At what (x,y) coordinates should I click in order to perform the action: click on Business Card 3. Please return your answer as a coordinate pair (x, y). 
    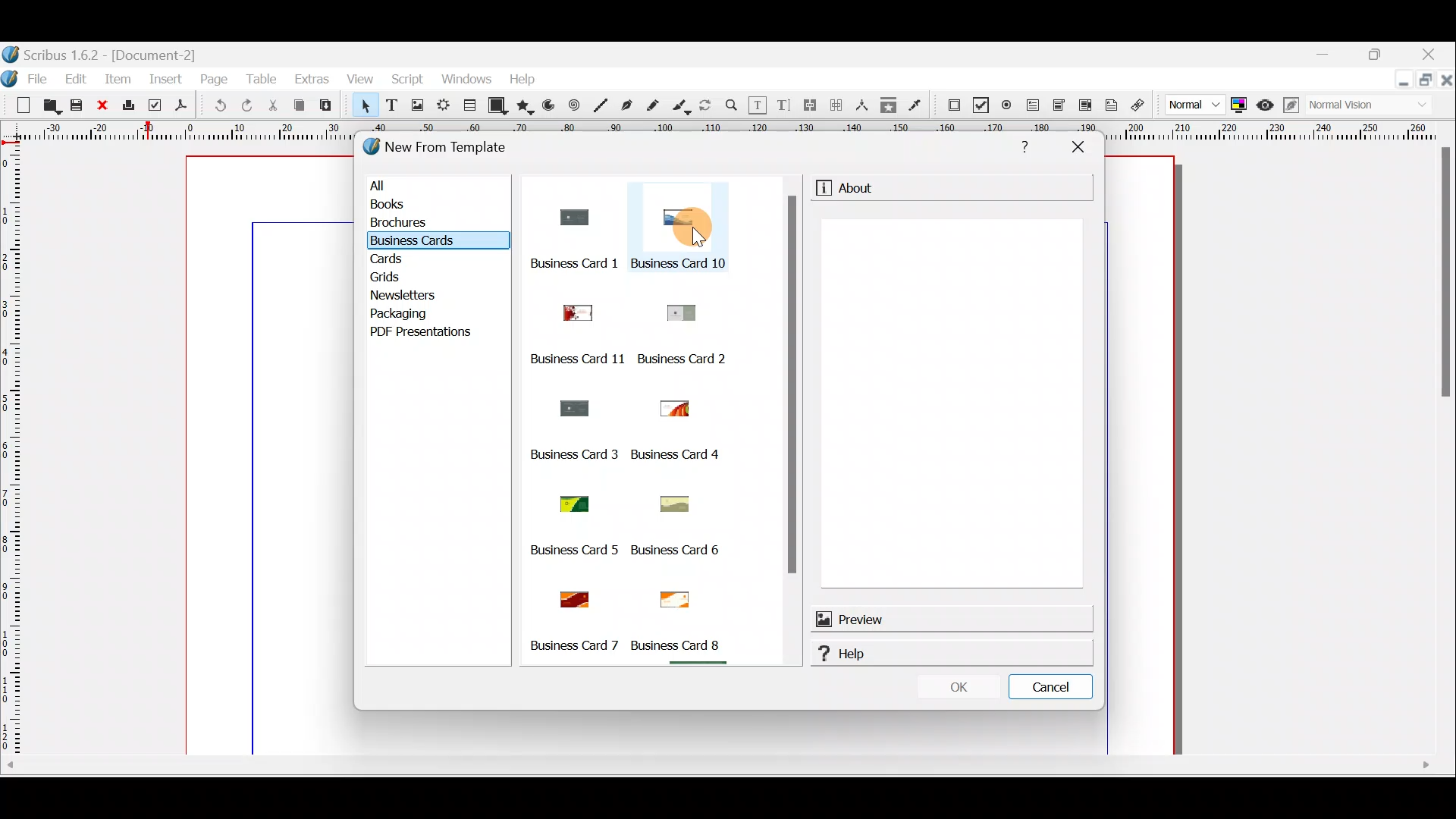
    Looking at the image, I should click on (572, 454).